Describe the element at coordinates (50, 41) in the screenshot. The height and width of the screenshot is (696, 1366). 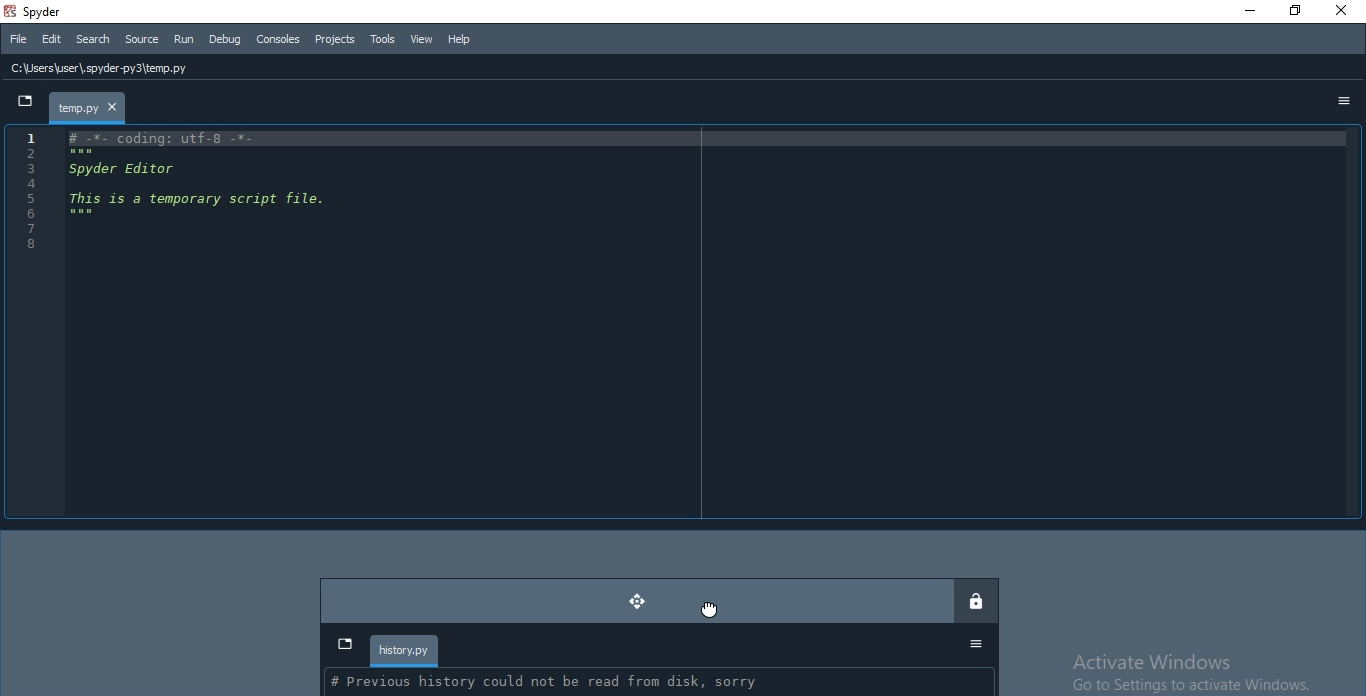
I see `Edit` at that location.